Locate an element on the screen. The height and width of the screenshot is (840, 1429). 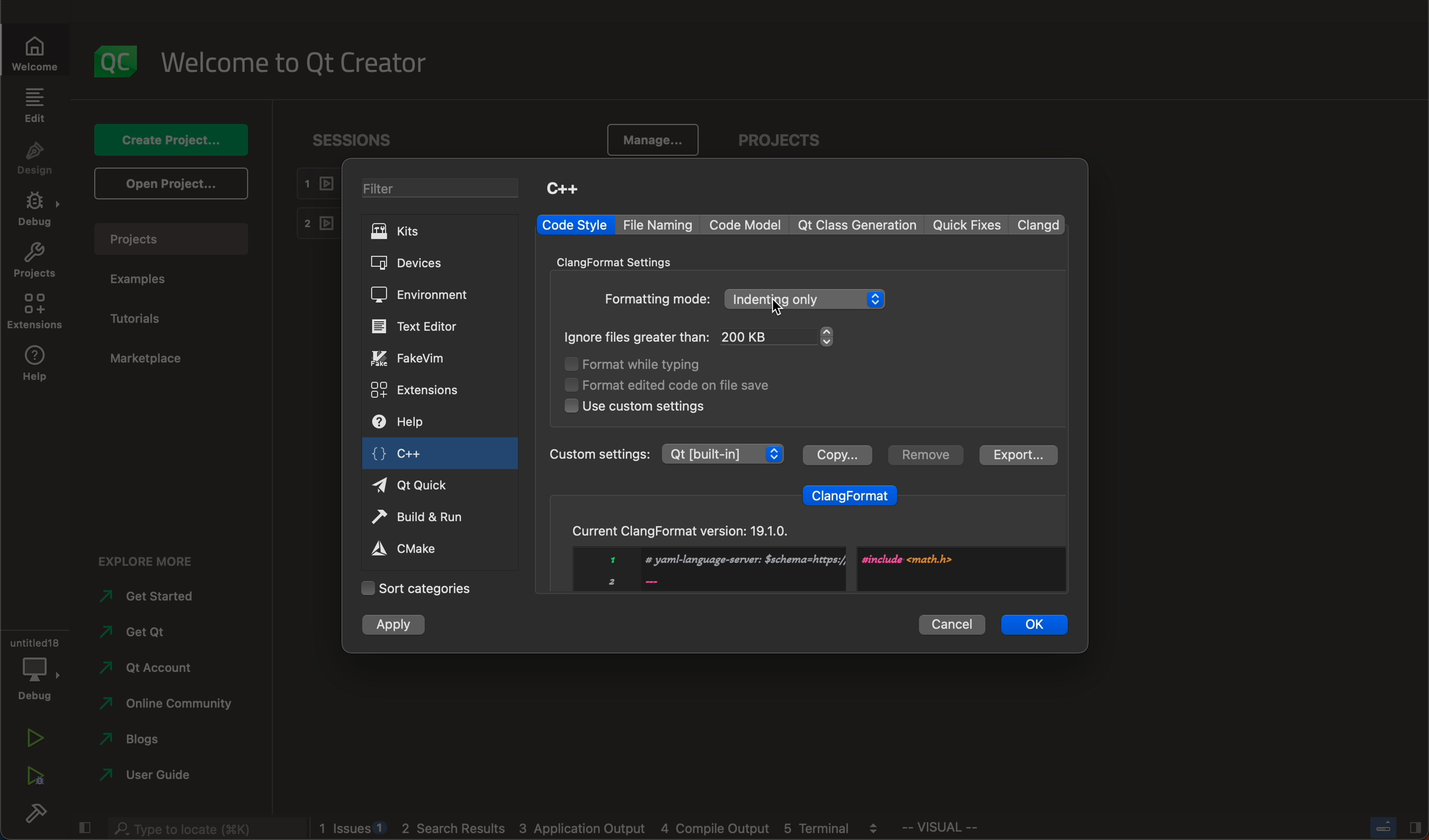
run is located at coordinates (34, 740).